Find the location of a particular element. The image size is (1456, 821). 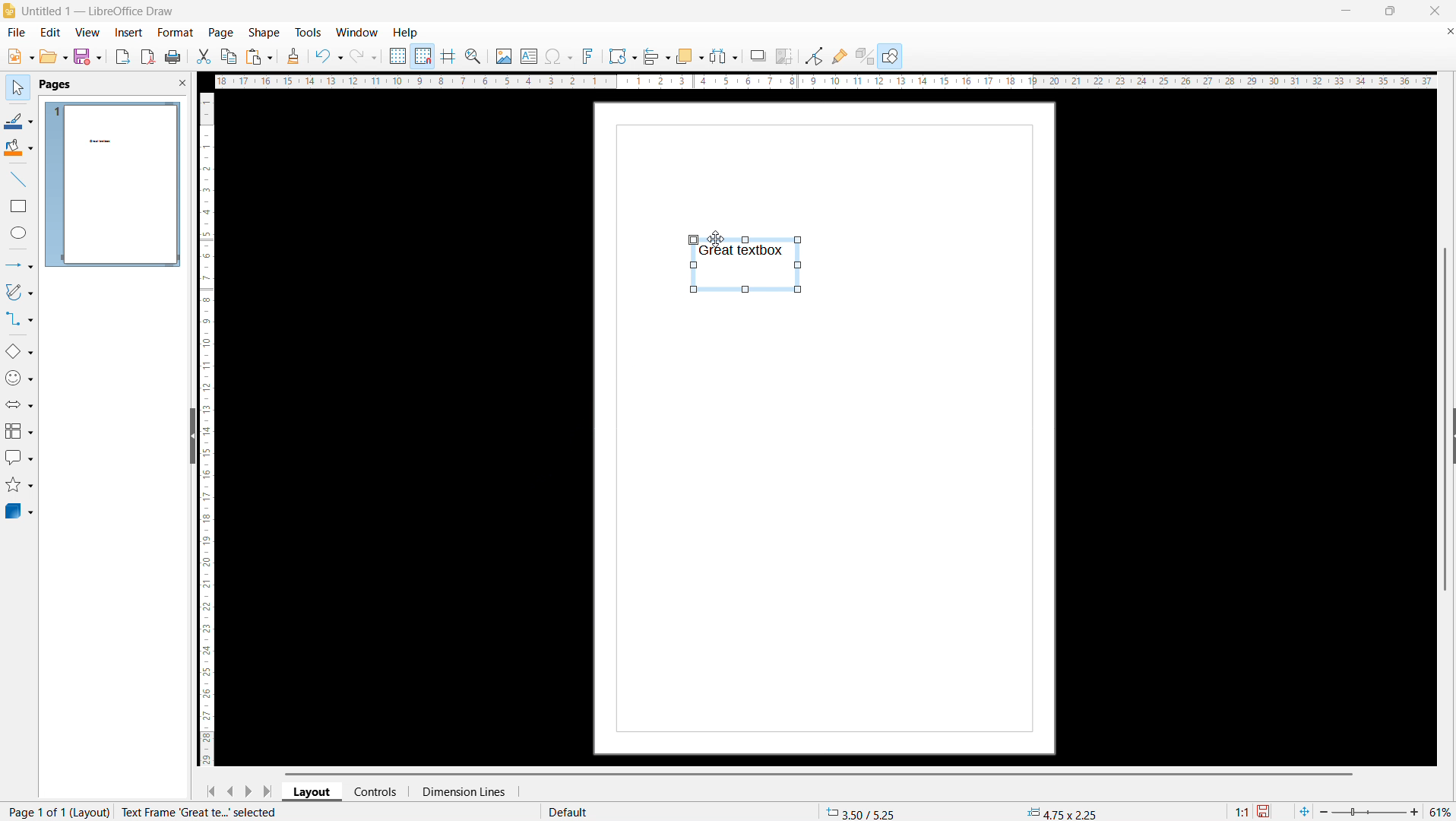

insert symbols is located at coordinates (559, 56).